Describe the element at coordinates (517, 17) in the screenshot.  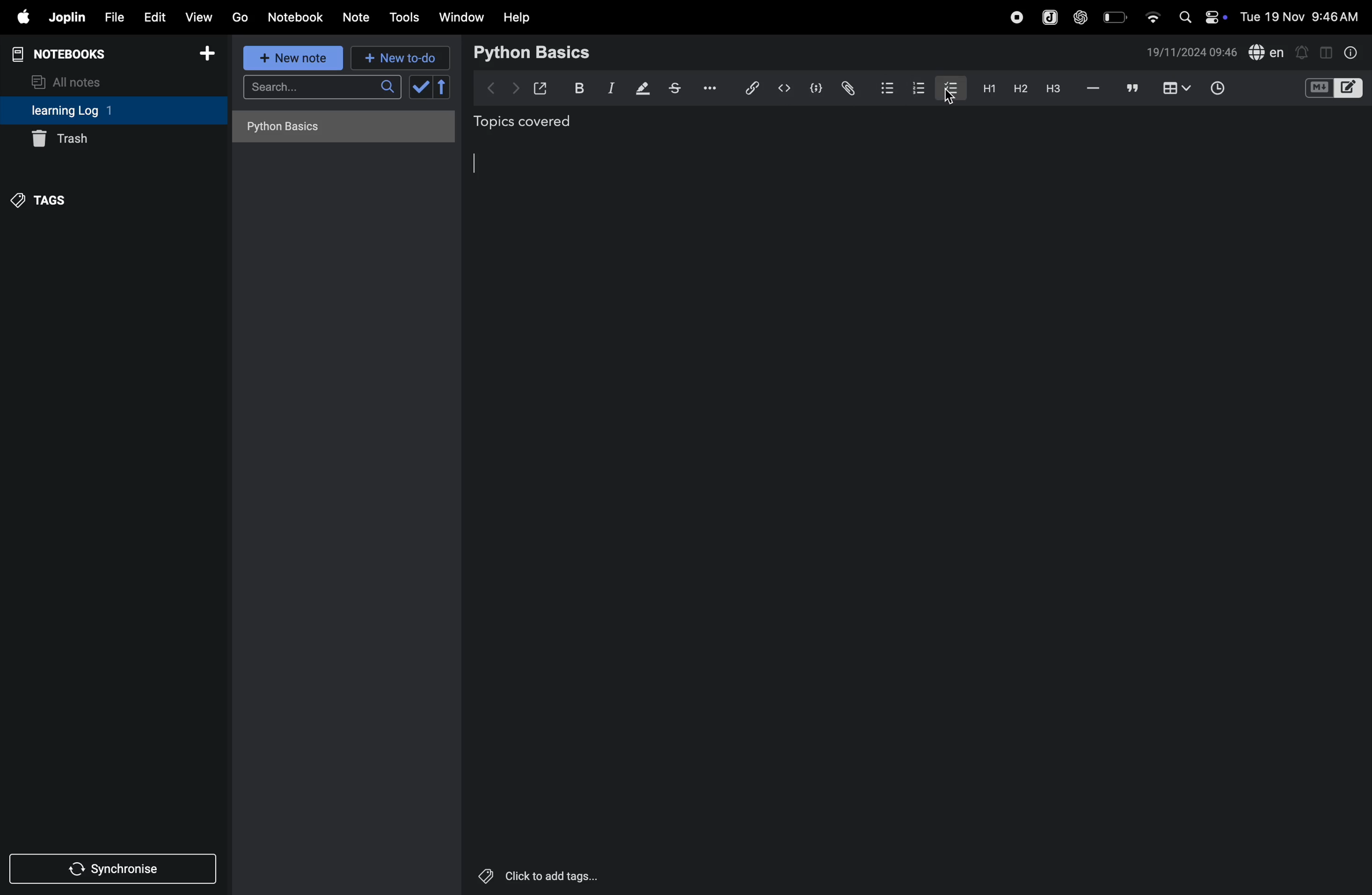
I see `help` at that location.